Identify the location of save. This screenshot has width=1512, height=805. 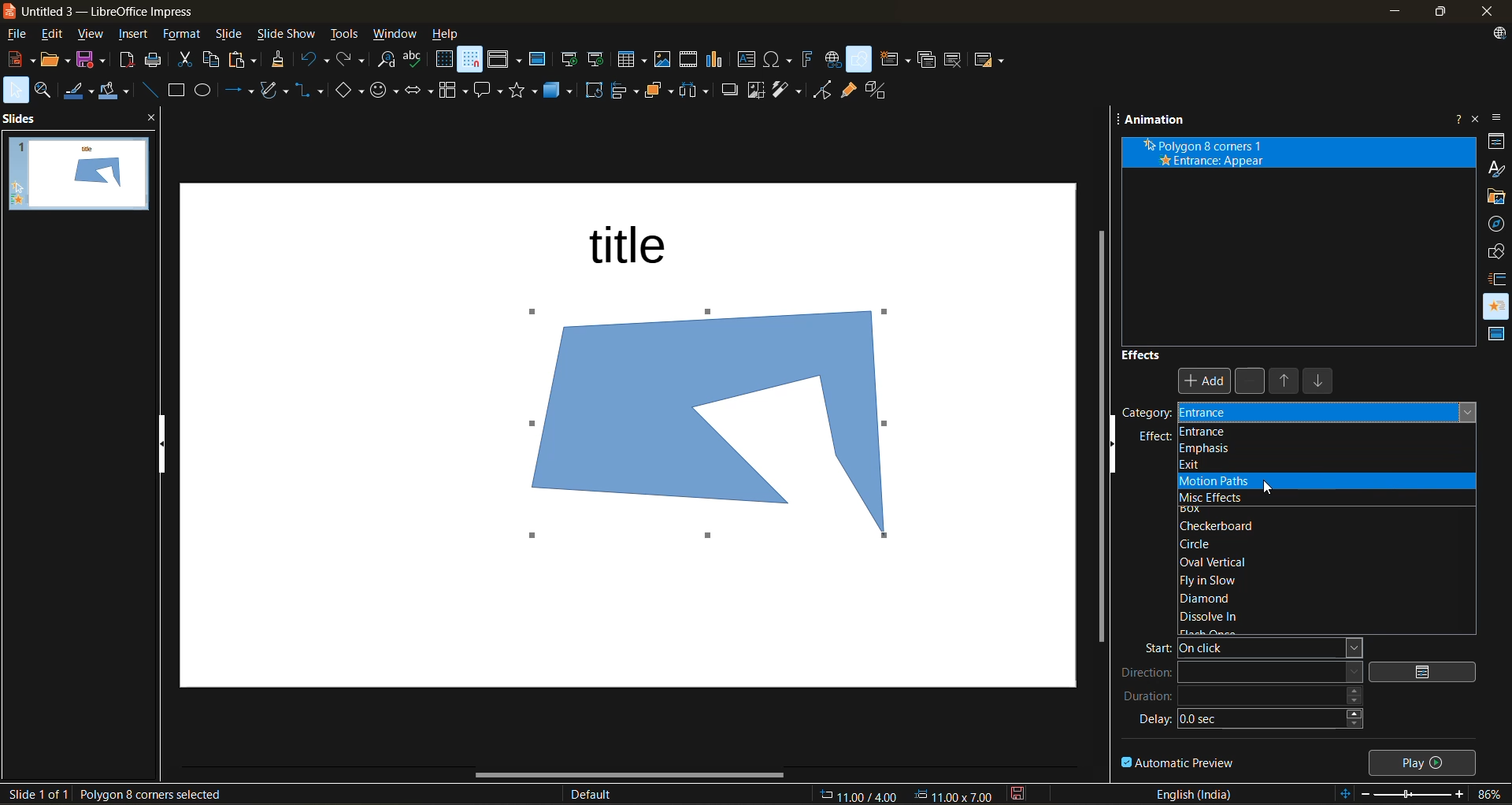
(92, 60).